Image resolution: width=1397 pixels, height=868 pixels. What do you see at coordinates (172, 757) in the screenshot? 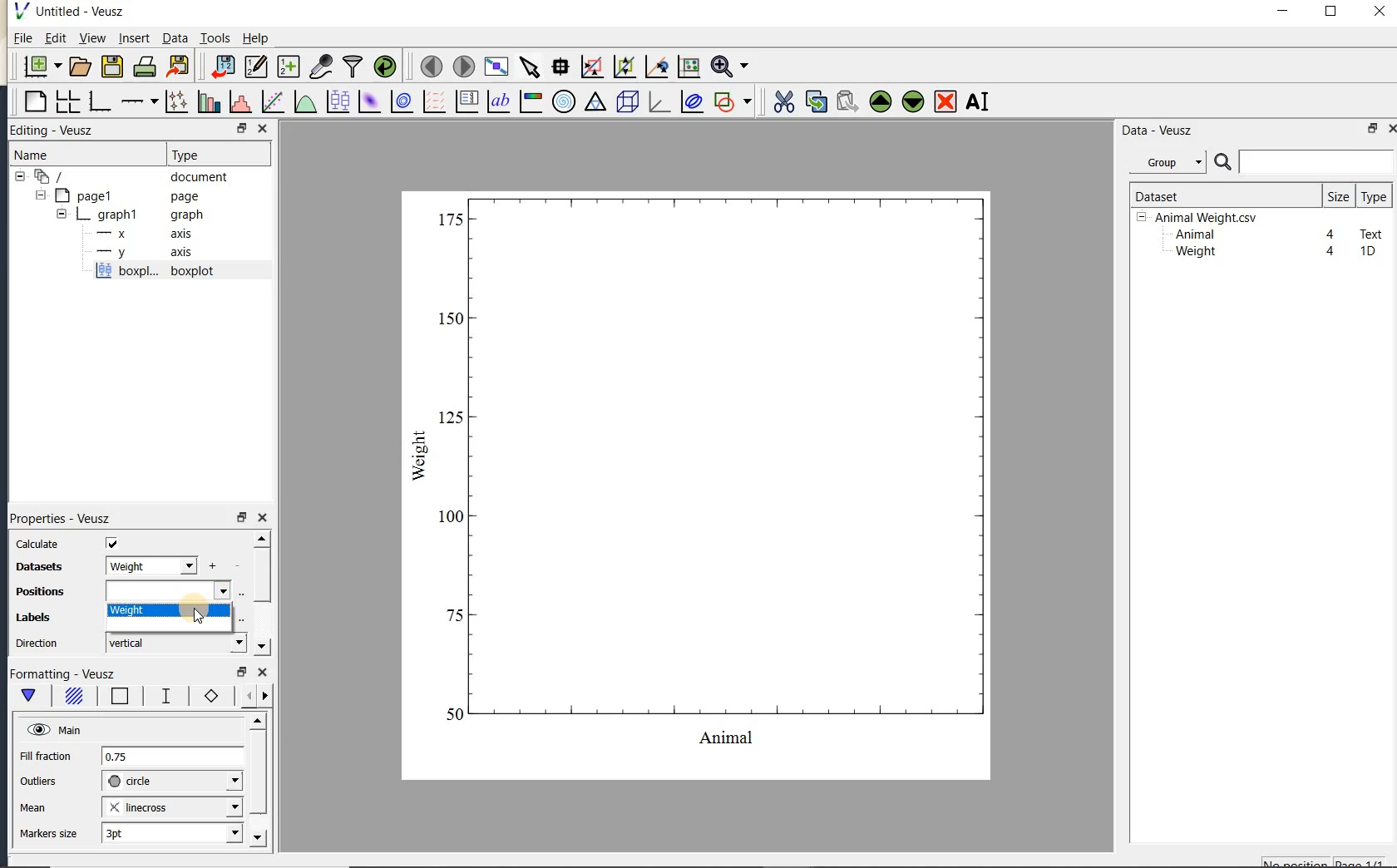
I see `0.75` at bounding box center [172, 757].